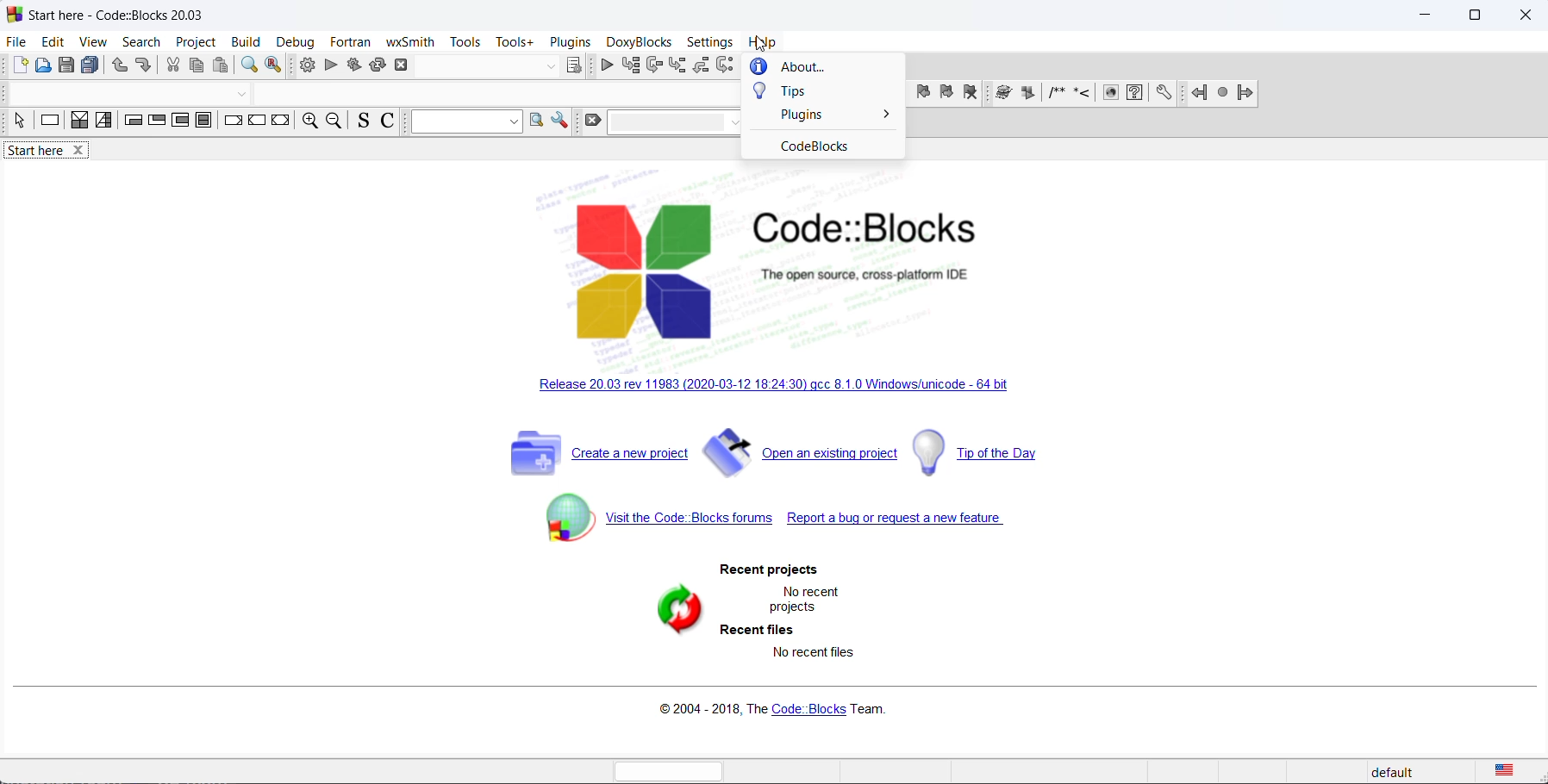 The width and height of the screenshot is (1548, 784). I want to click on file, so click(18, 43).